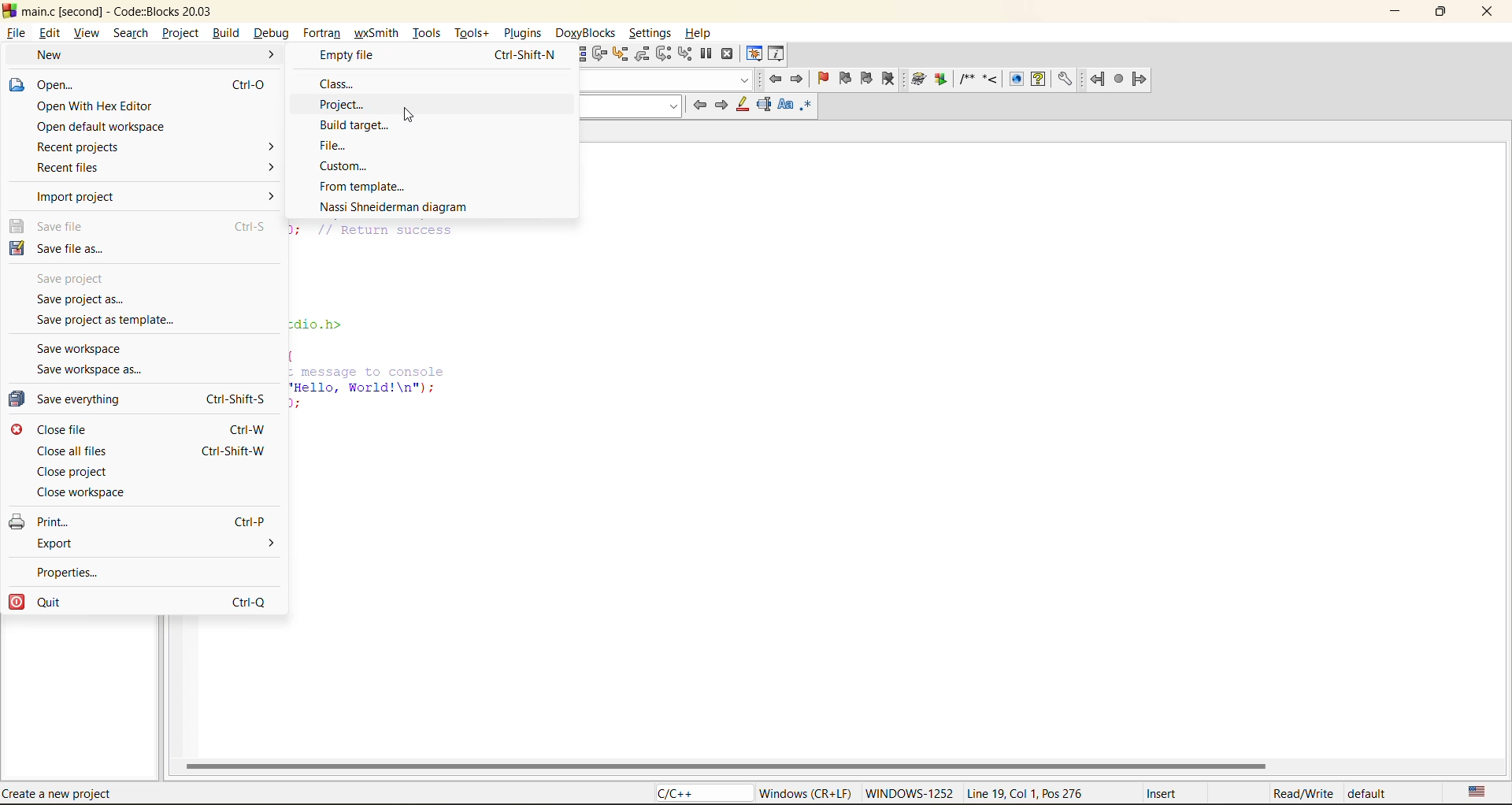  Describe the element at coordinates (1444, 14) in the screenshot. I see `maximize` at that location.